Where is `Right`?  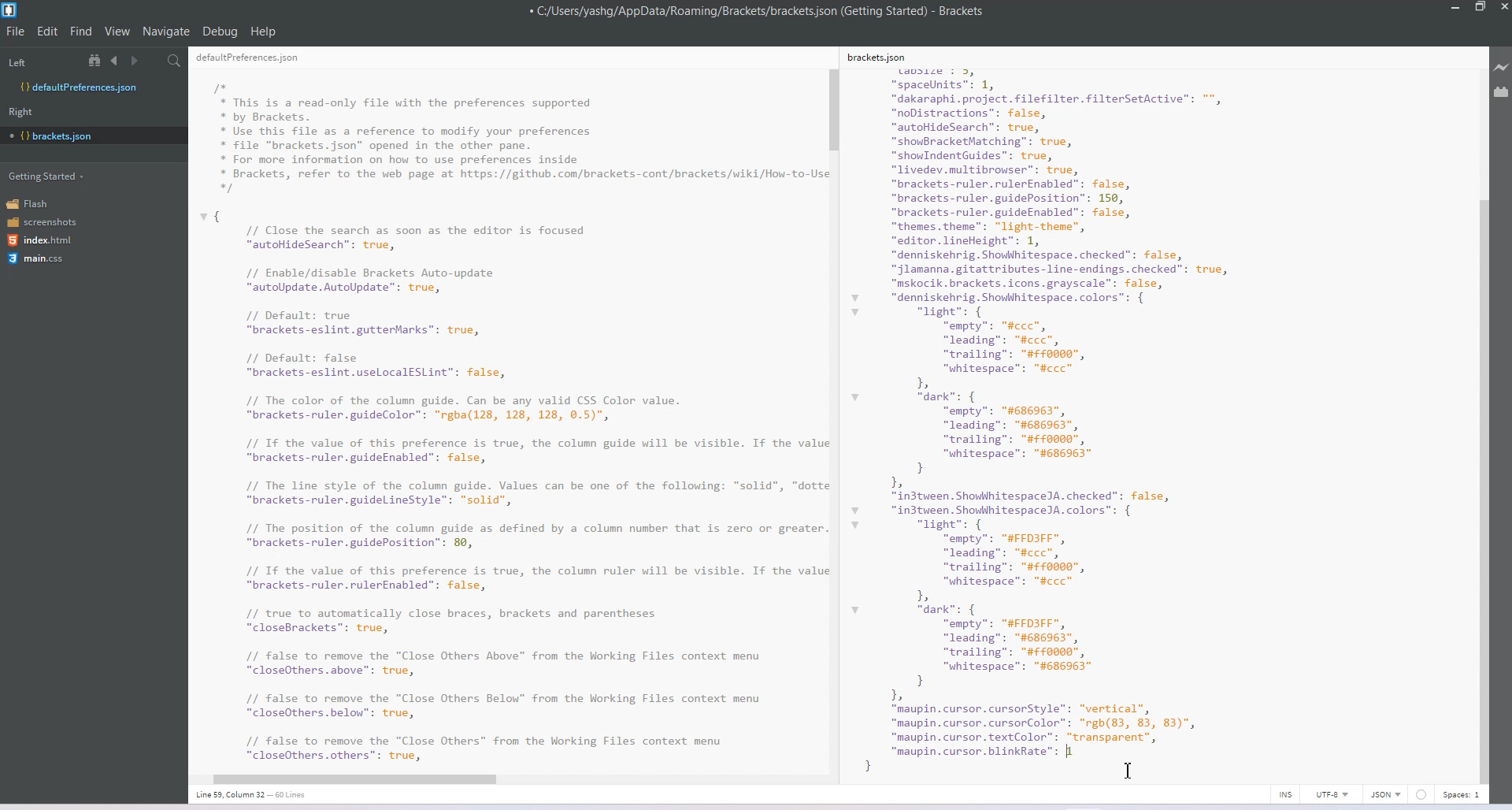 Right is located at coordinates (20, 112).